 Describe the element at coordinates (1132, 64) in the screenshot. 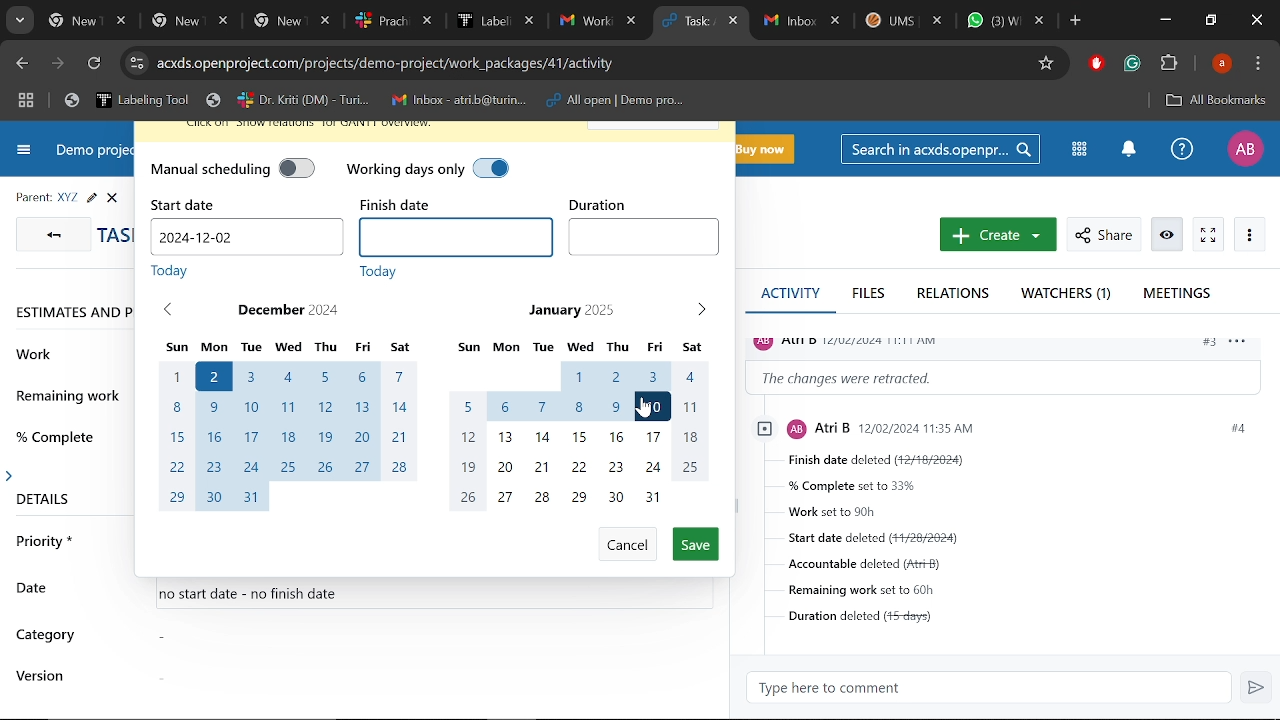

I see `Grammerly` at that location.